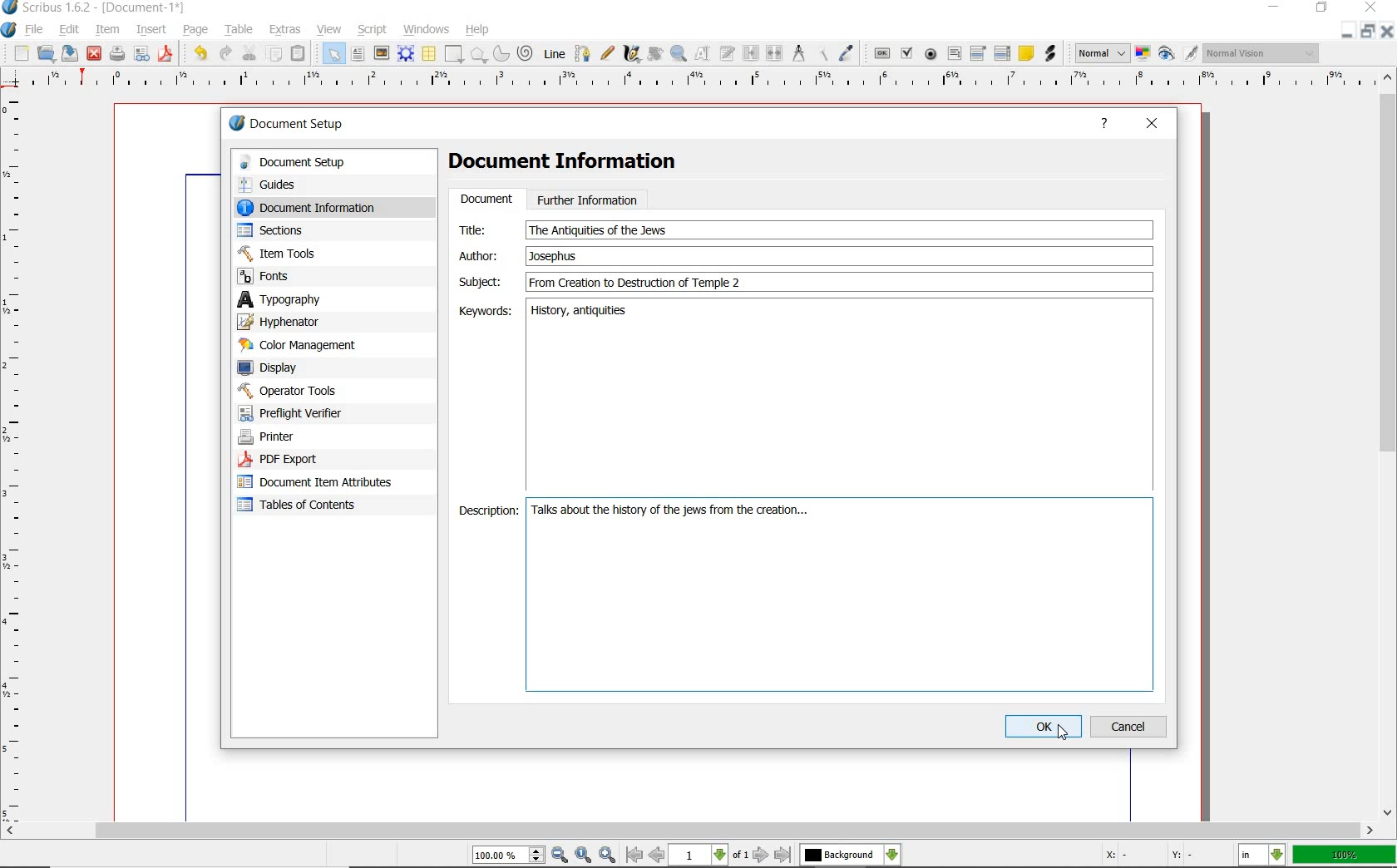 The width and height of the screenshot is (1397, 868). Describe the element at coordinates (979, 54) in the screenshot. I see `pdf combo box` at that location.